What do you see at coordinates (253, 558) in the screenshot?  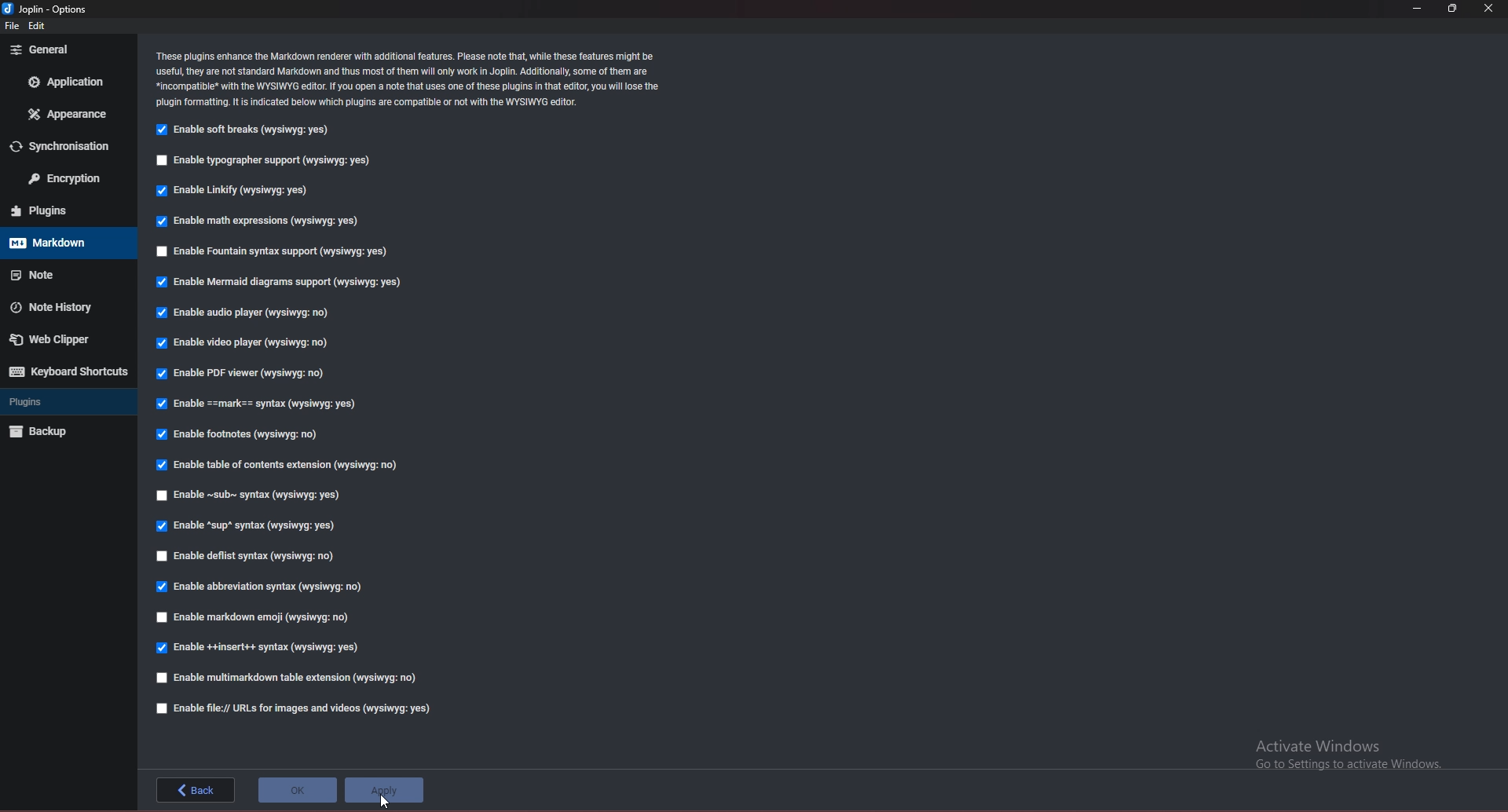 I see `enable deflist syntax` at bounding box center [253, 558].